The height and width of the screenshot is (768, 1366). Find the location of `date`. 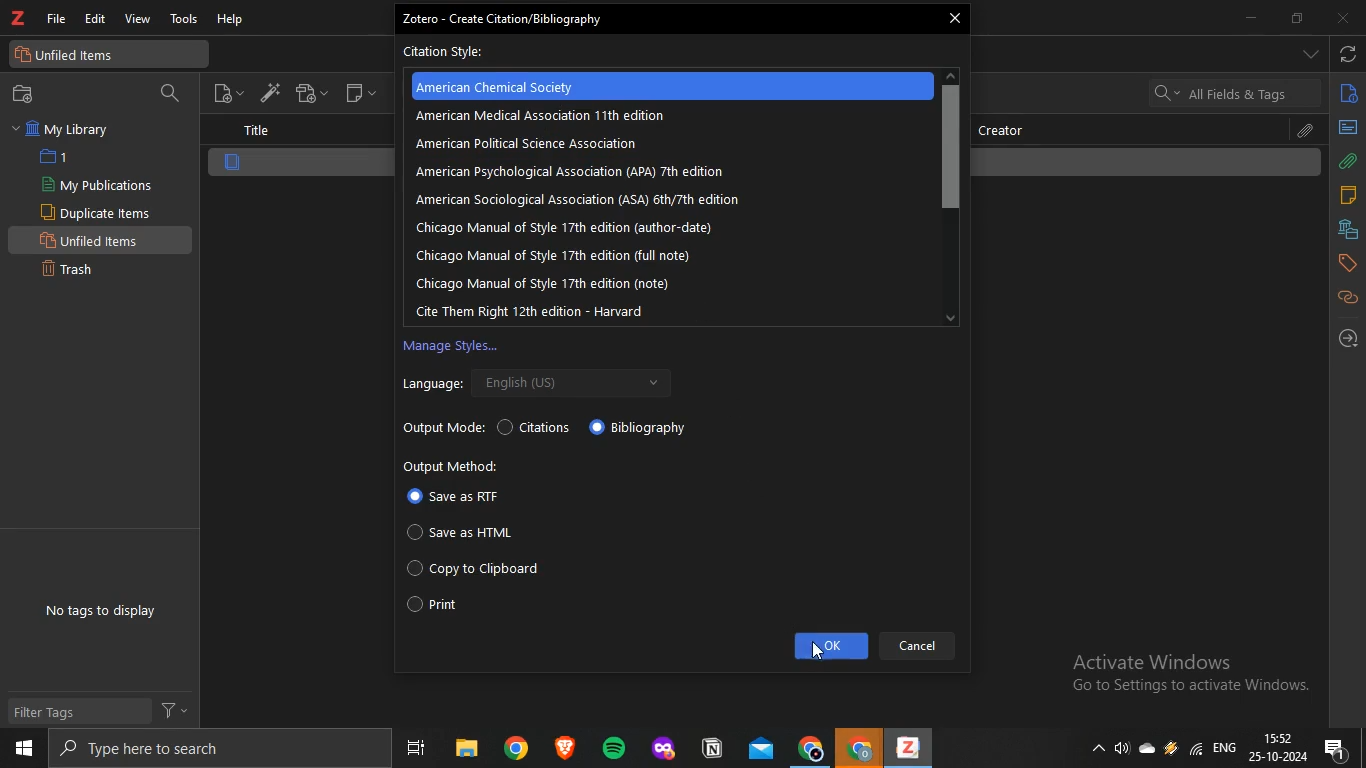

date is located at coordinates (1279, 757).